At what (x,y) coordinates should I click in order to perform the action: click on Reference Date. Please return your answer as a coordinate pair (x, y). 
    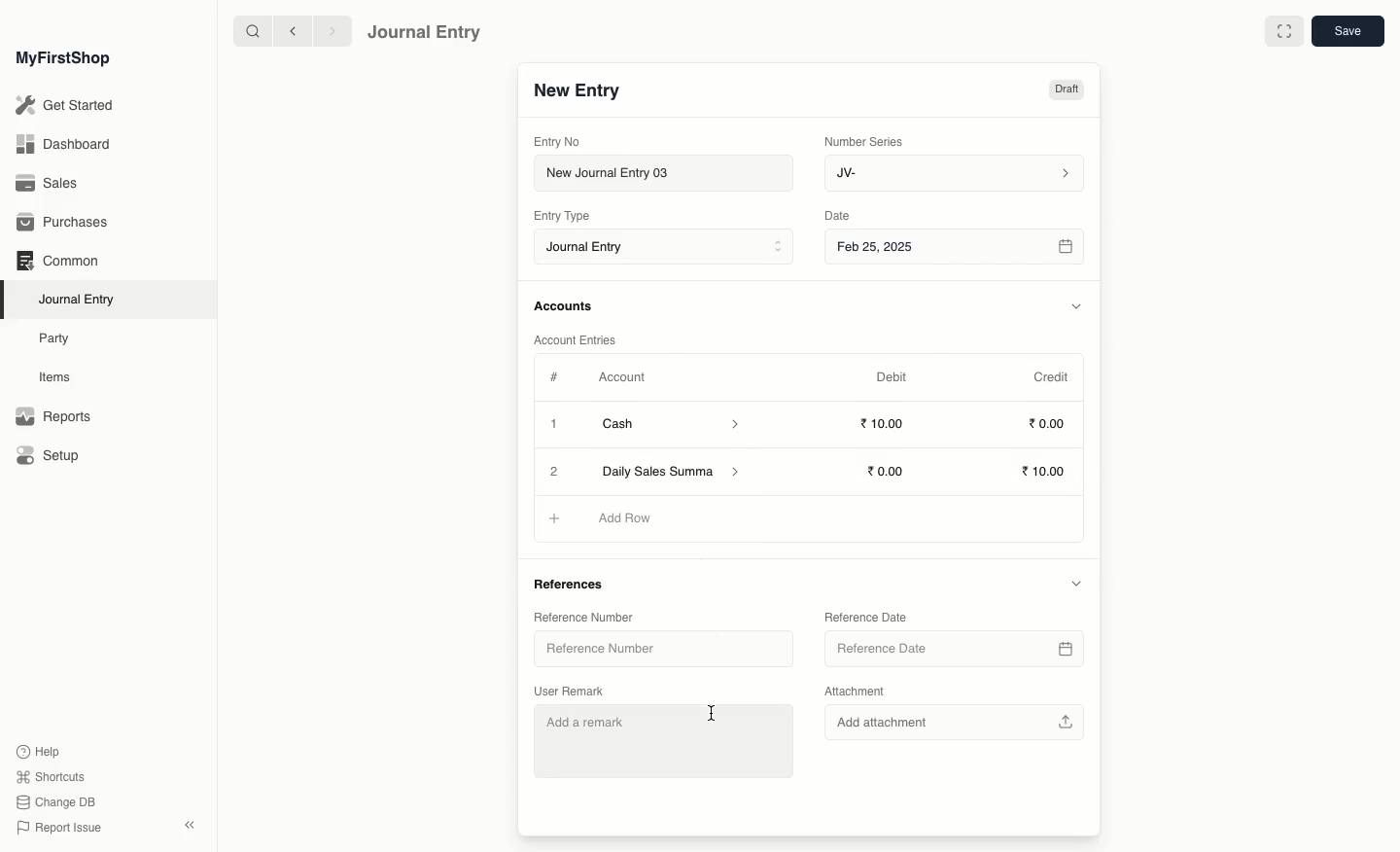
    Looking at the image, I should click on (952, 649).